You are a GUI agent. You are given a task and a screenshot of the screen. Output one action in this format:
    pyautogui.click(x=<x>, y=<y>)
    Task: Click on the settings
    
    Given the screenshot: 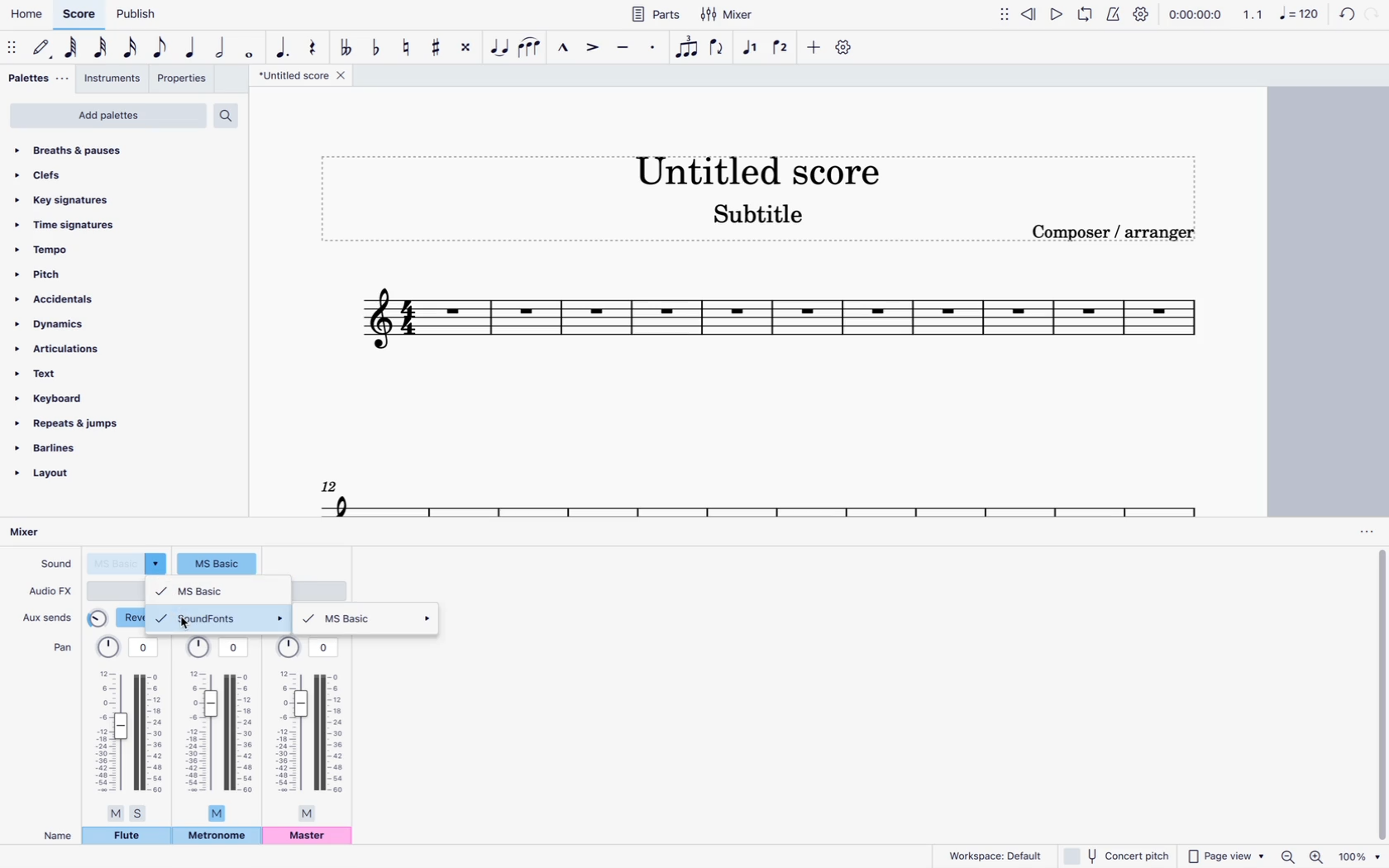 What is the action you would take?
    pyautogui.click(x=1142, y=14)
    